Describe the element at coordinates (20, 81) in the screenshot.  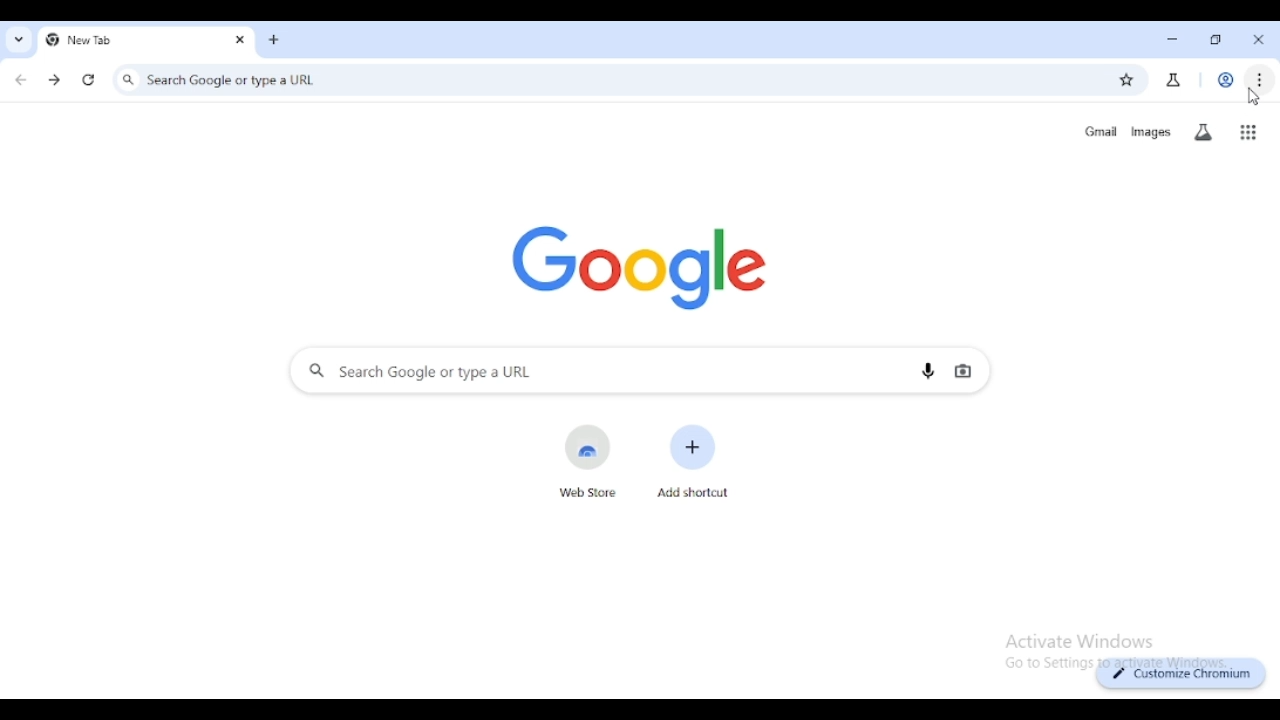
I see `click to go back` at that location.